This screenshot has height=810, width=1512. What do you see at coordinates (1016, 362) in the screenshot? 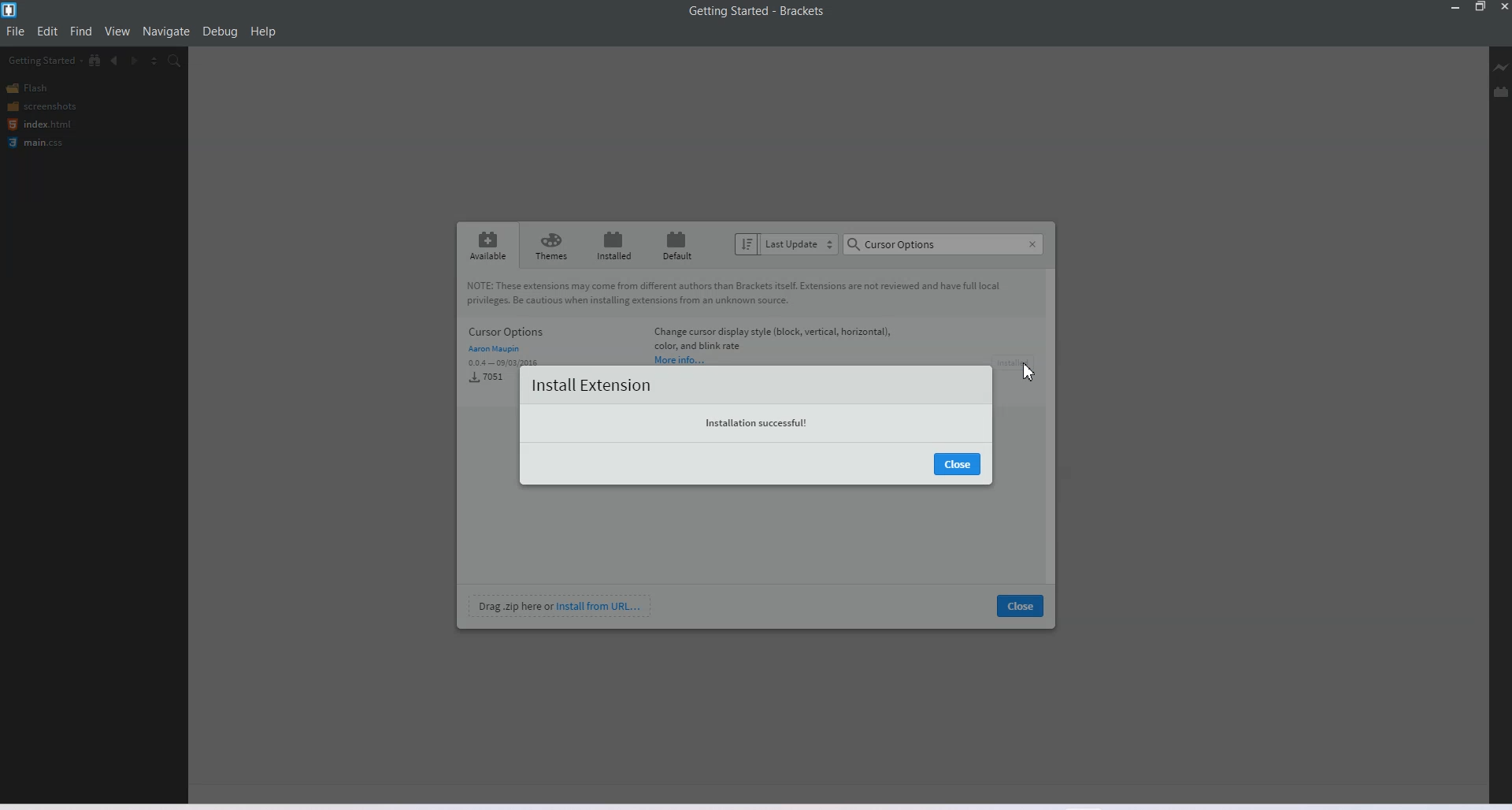
I see `install` at bounding box center [1016, 362].